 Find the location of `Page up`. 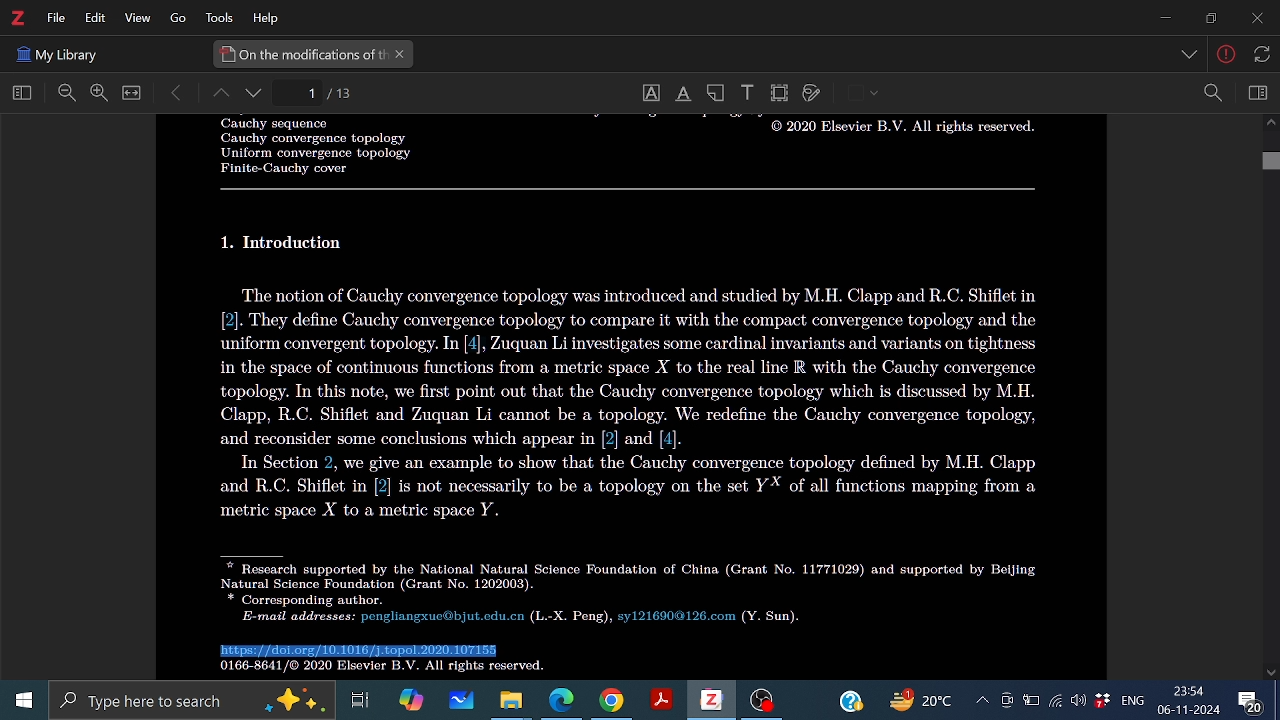

Page up is located at coordinates (219, 95).